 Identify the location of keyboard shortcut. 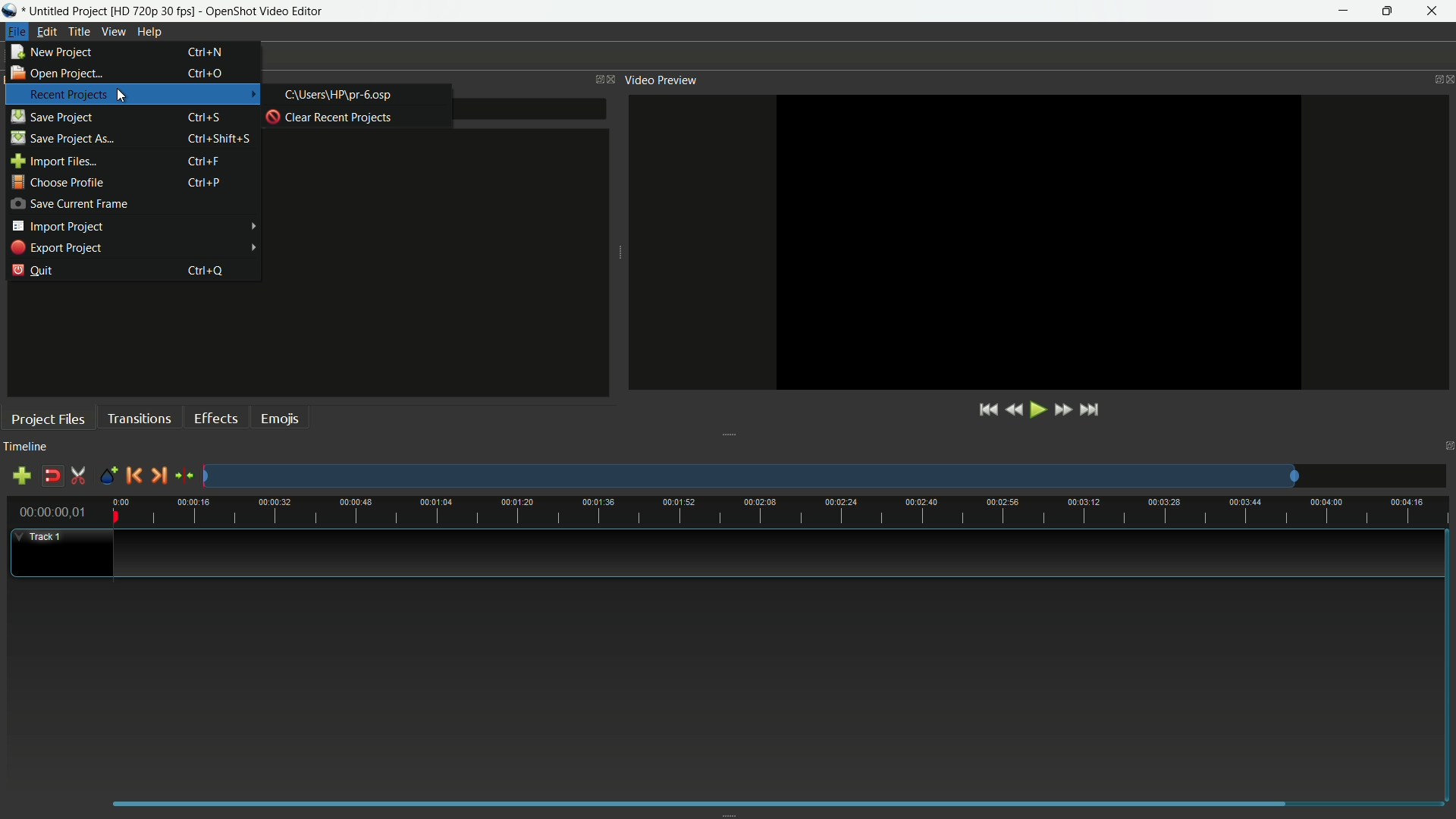
(206, 118).